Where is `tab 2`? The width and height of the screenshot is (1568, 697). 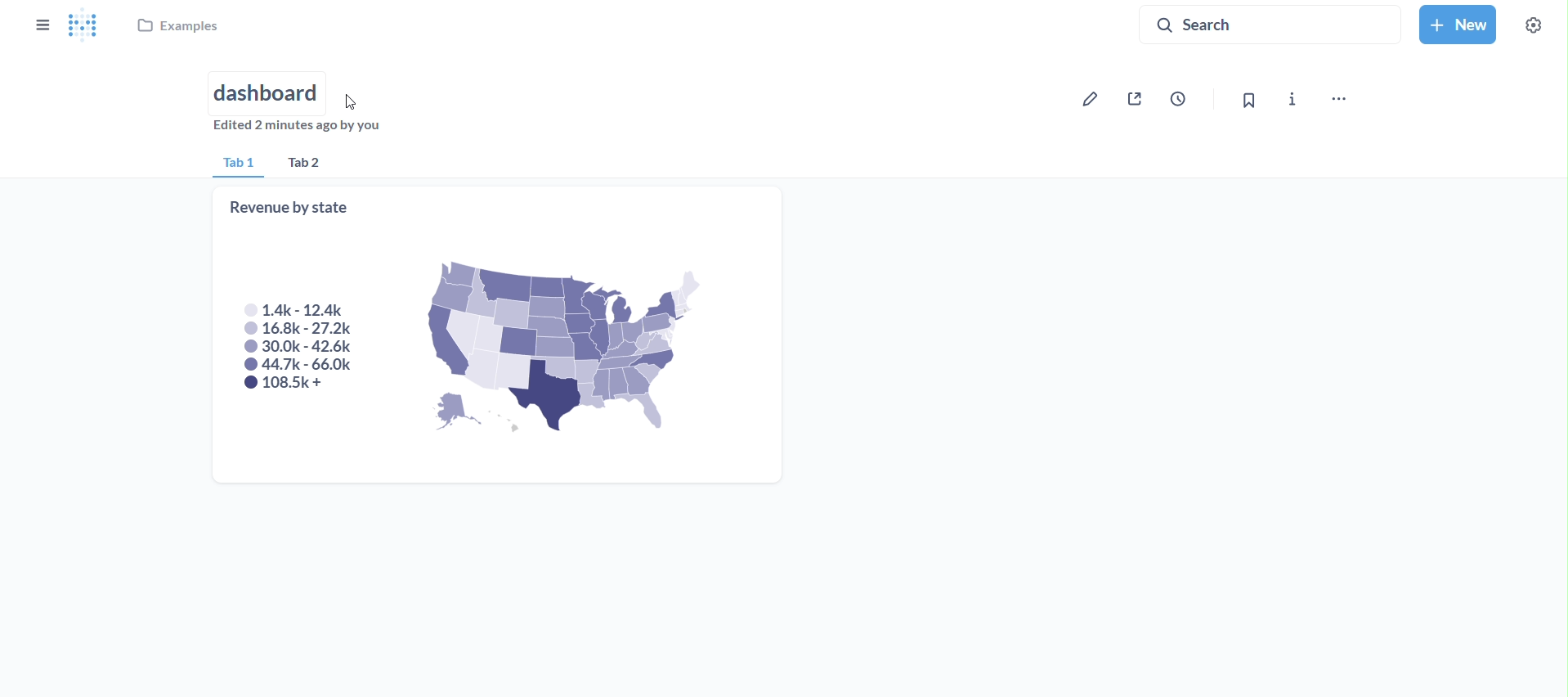
tab 2 is located at coordinates (313, 164).